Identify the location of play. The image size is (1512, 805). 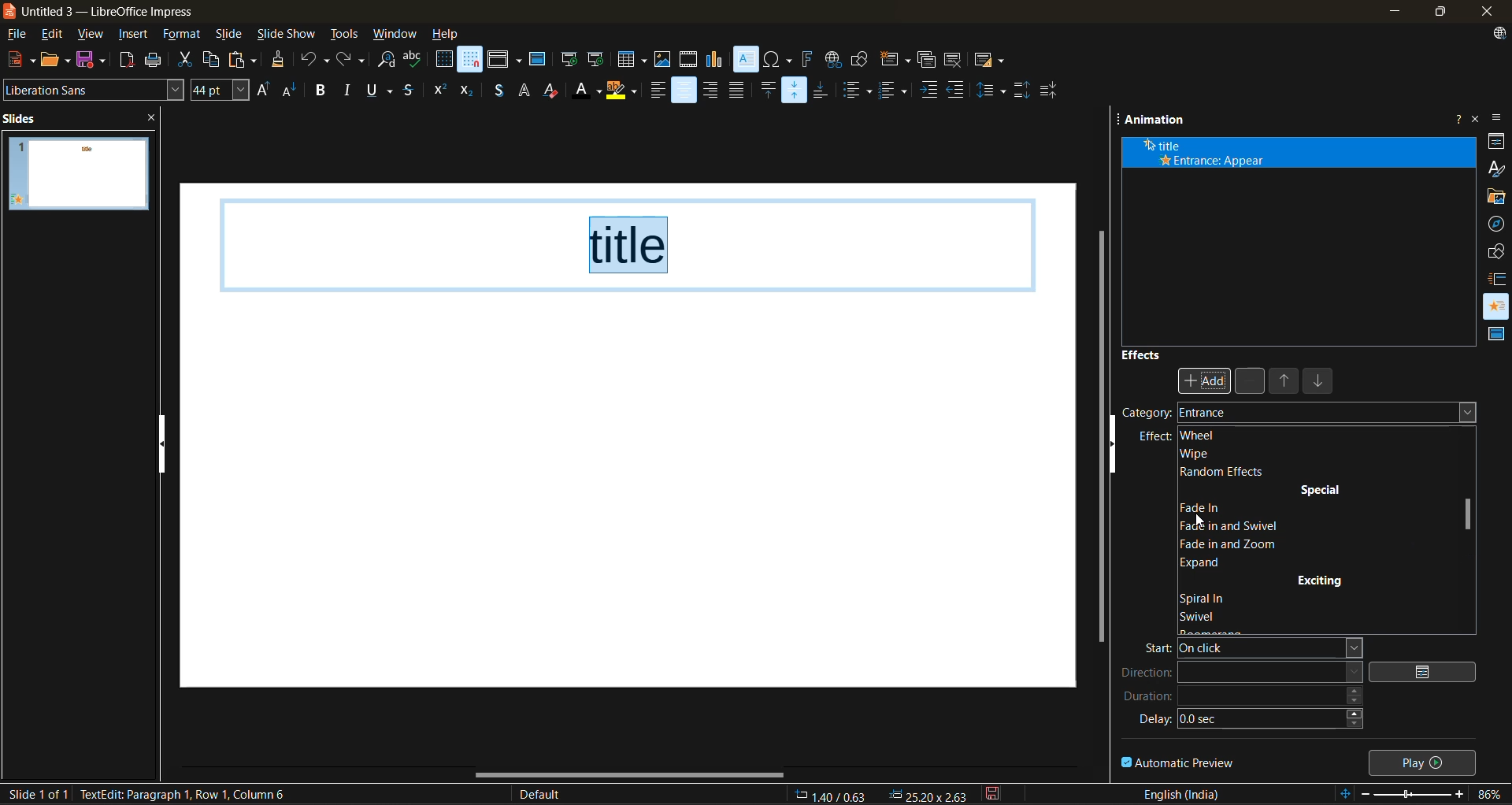
(1425, 761).